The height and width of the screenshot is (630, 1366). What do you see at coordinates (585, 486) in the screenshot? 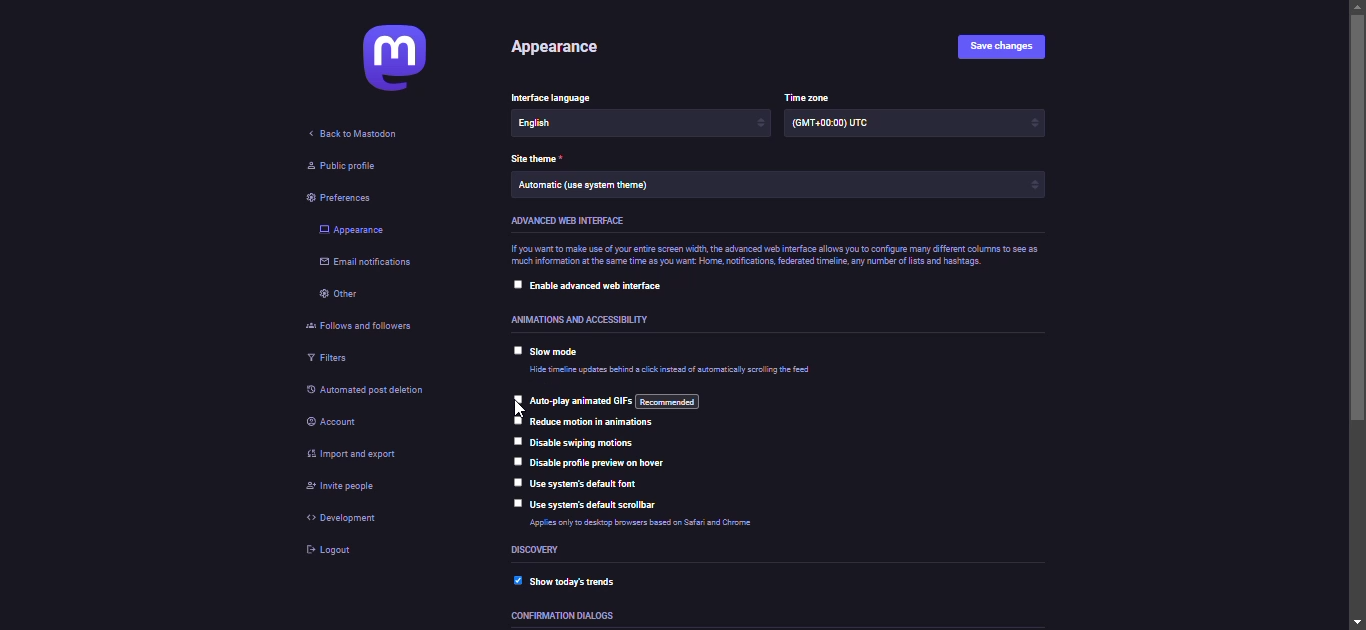
I see `use system's default font` at bounding box center [585, 486].